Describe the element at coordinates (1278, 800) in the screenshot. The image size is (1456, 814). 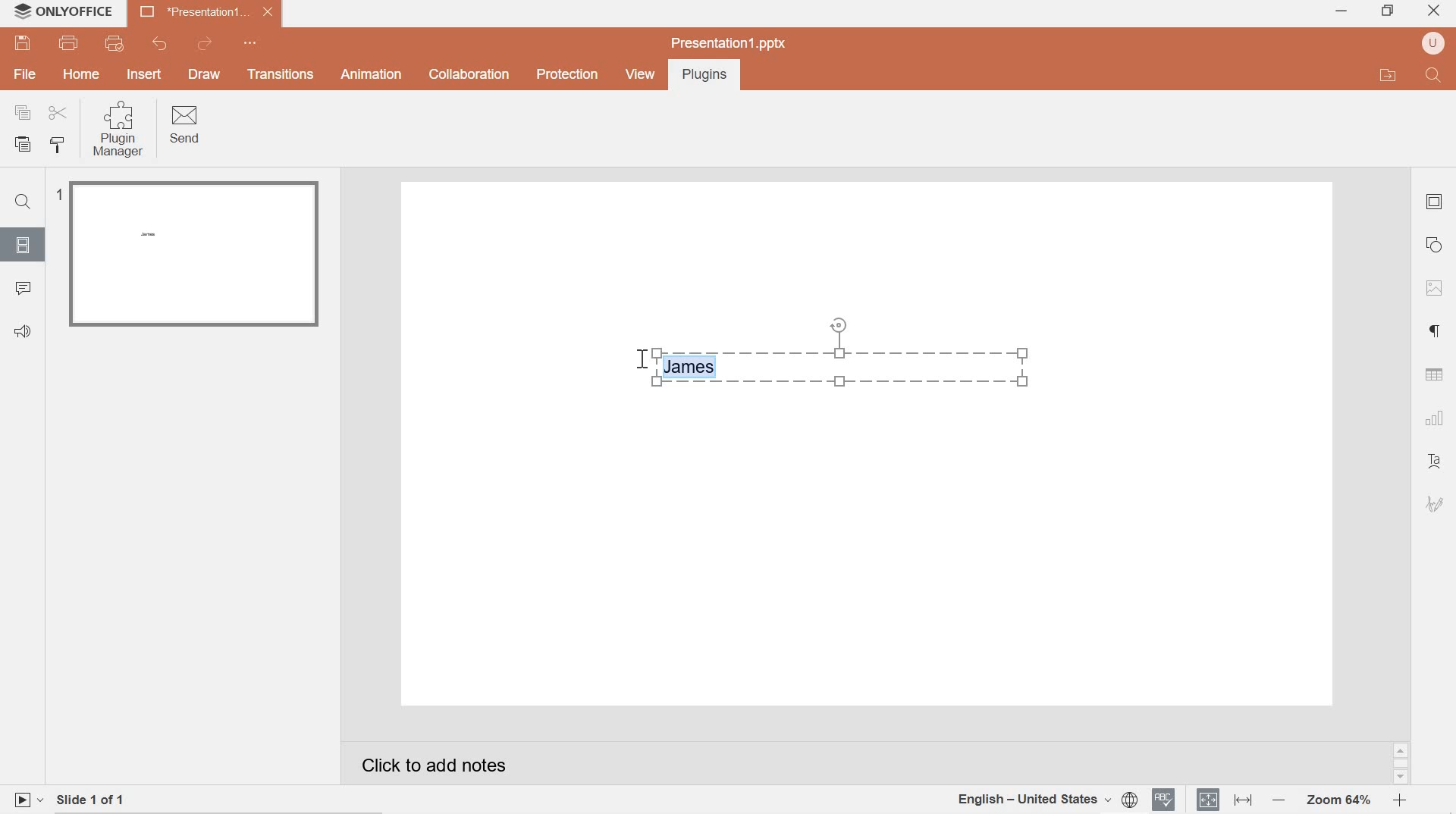
I see `Zoom out` at that location.